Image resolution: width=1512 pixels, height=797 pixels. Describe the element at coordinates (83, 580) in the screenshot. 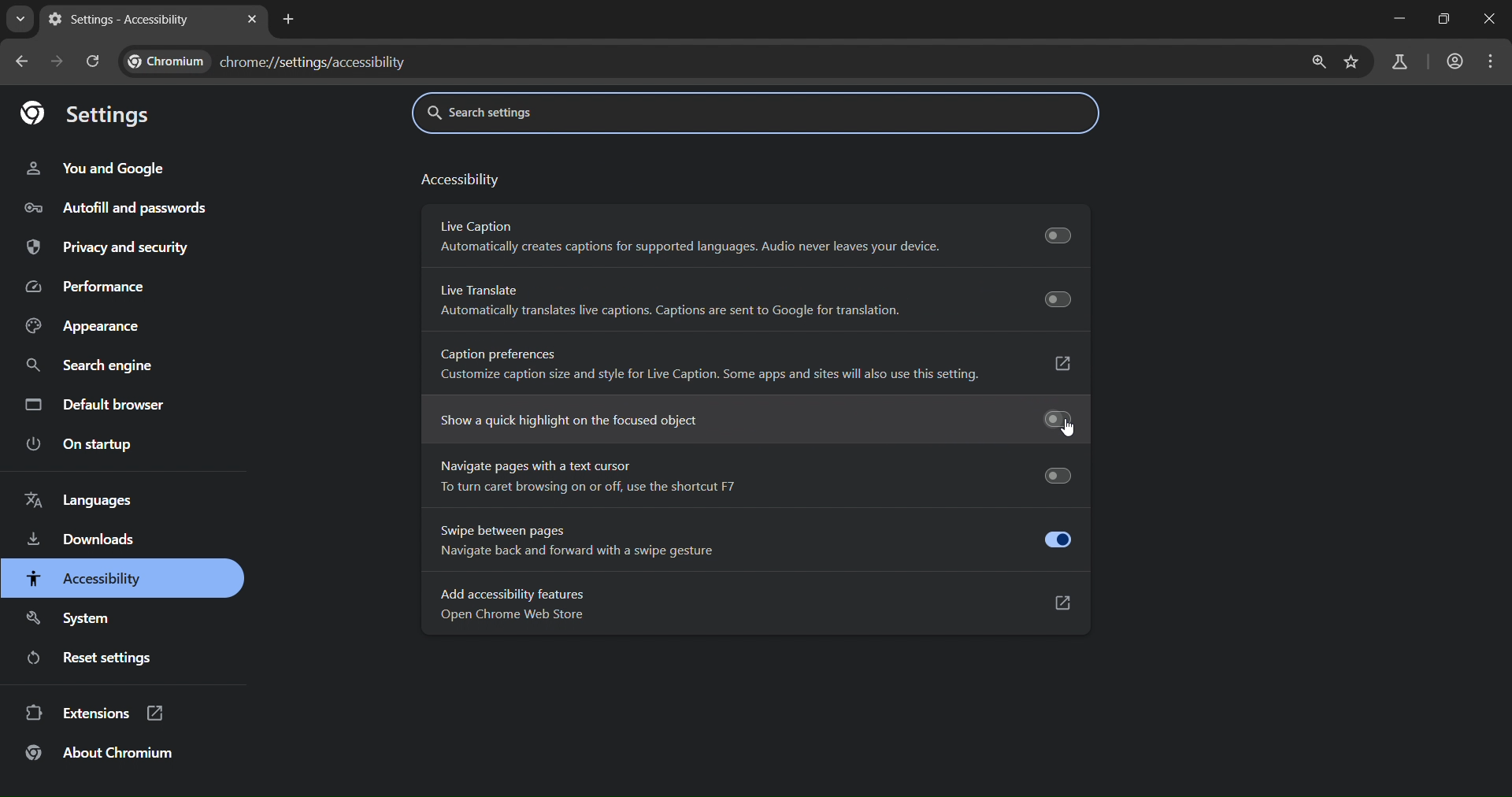

I see `accessibility` at that location.